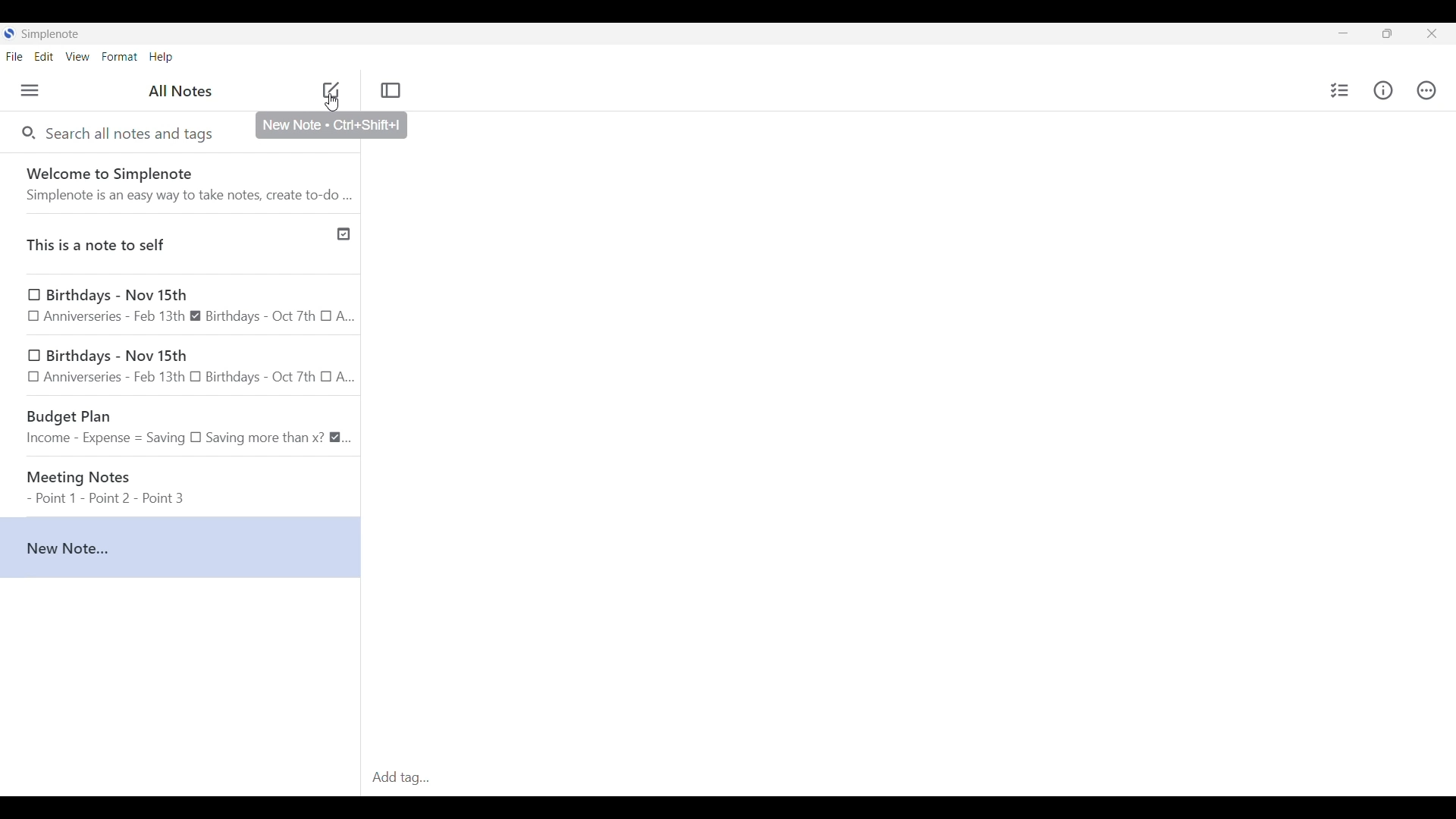 This screenshot has width=1456, height=819. I want to click on Search all notes and tags, so click(132, 135).